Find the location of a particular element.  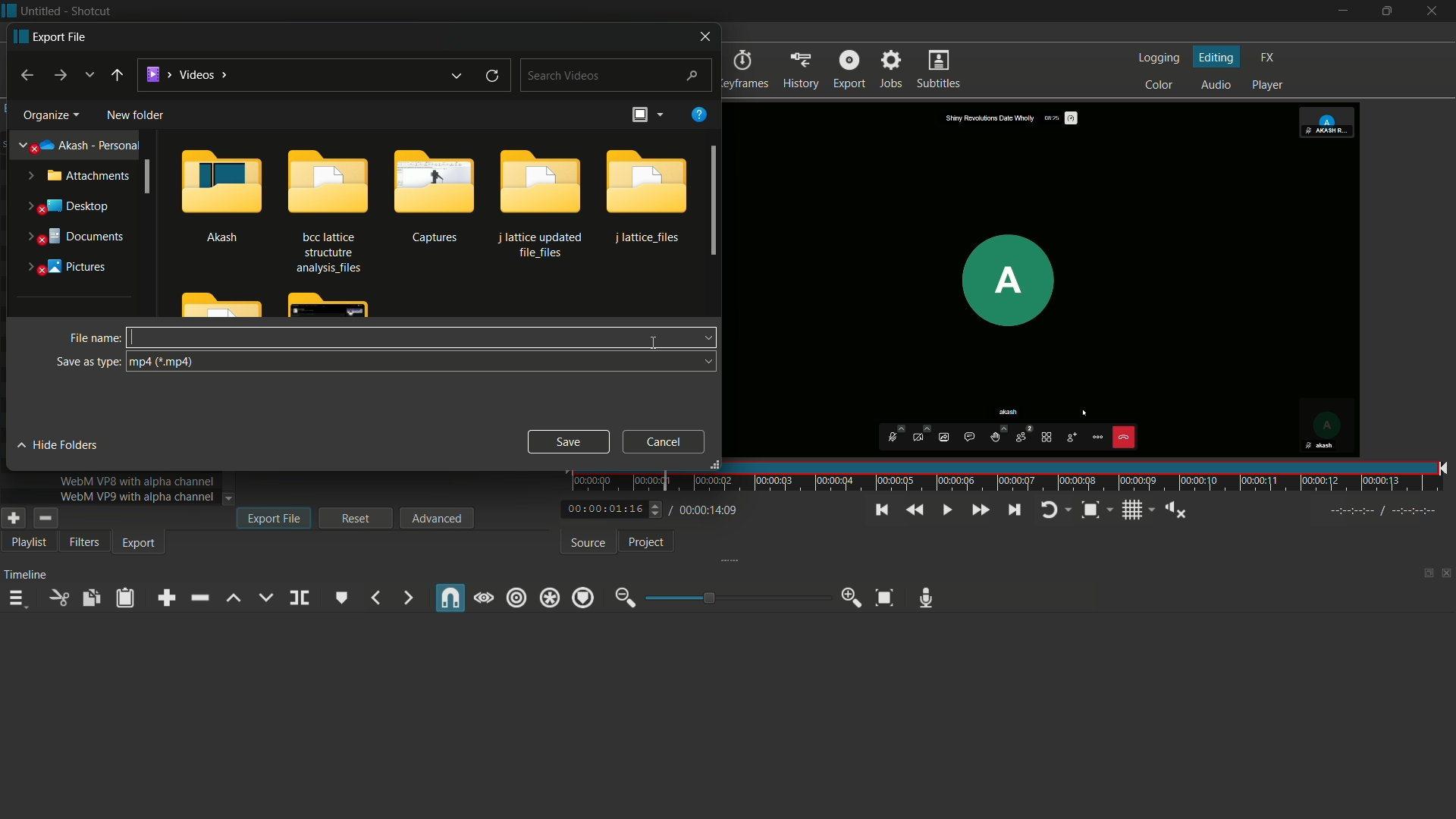

folder-4 is located at coordinates (540, 201).